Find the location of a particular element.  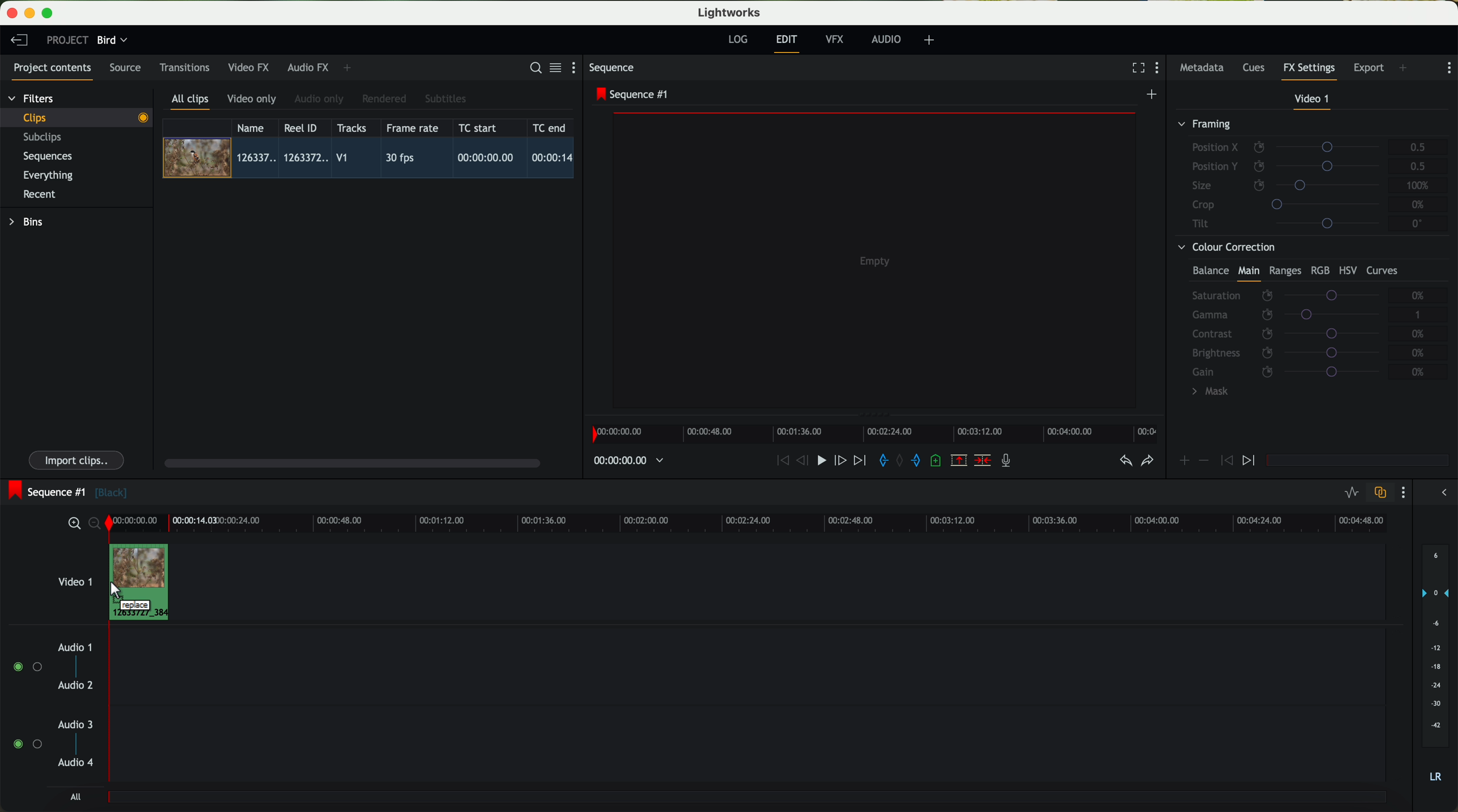

framing is located at coordinates (1205, 126).